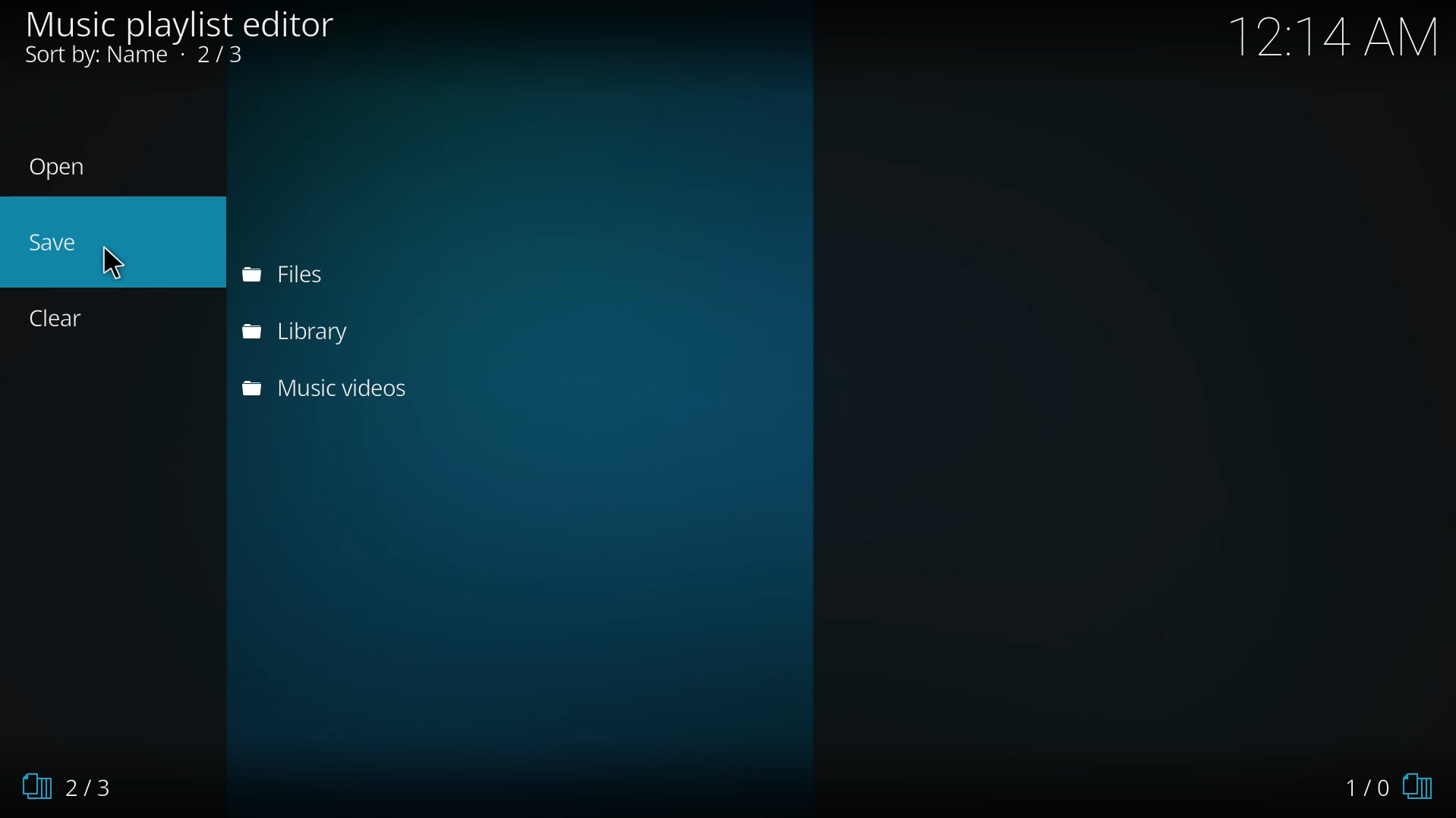 This screenshot has width=1456, height=818. What do you see at coordinates (57, 240) in the screenshot?
I see `save` at bounding box center [57, 240].